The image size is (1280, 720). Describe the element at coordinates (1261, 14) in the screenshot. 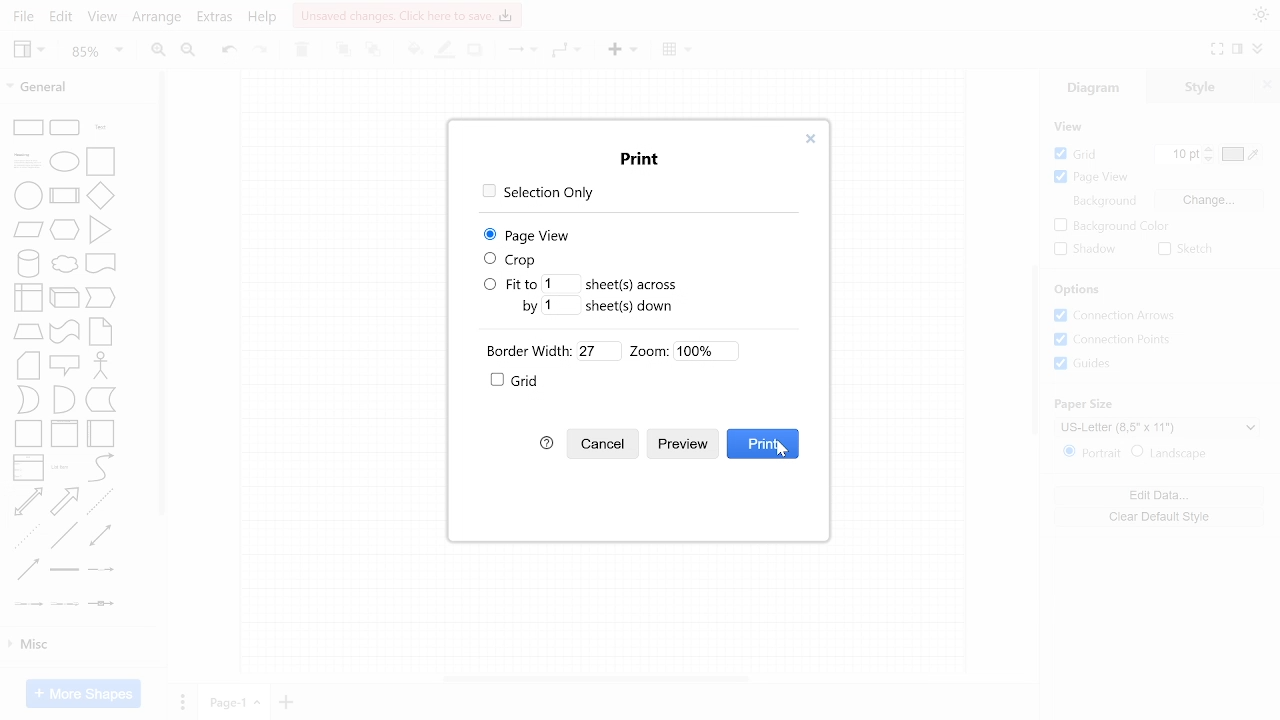

I see `Indicates theme change option` at that location.